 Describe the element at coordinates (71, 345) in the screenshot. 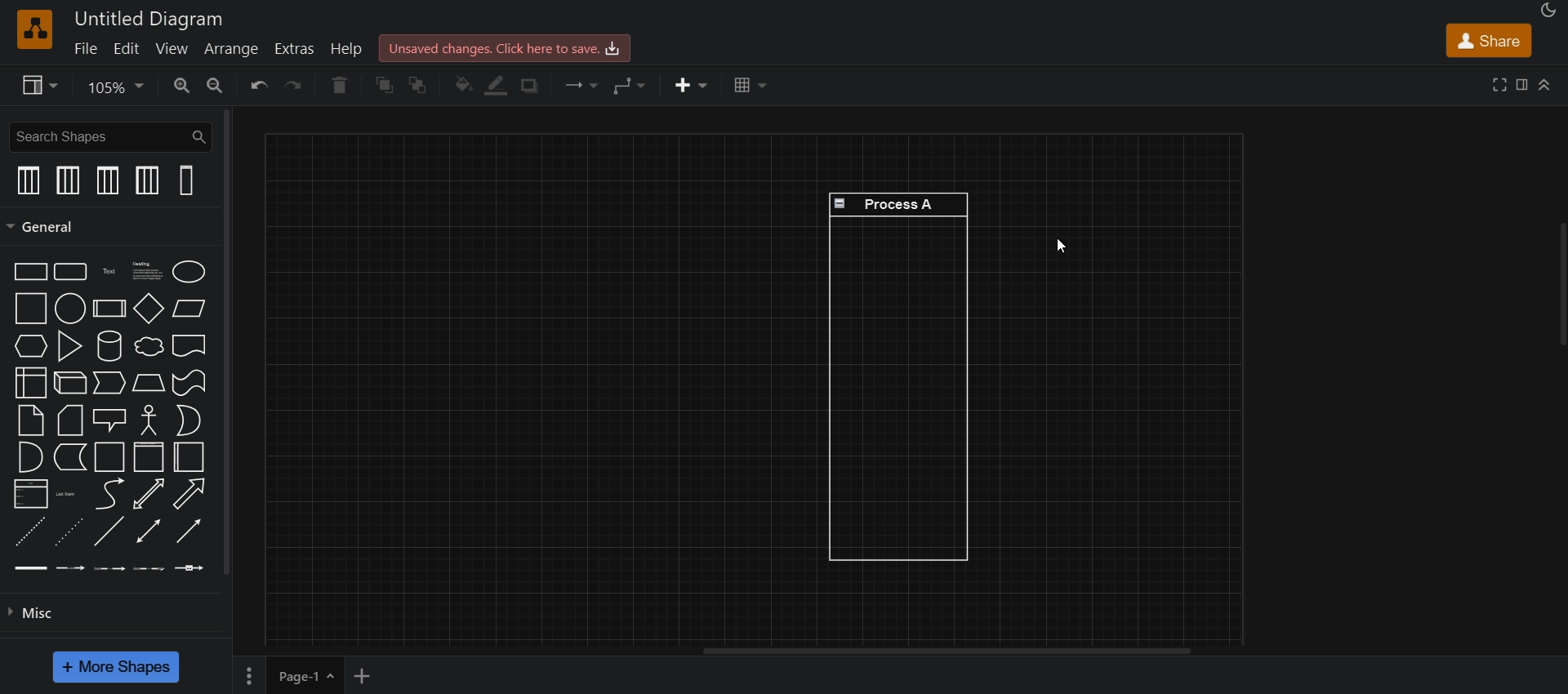

I see `trinagle` at that location.